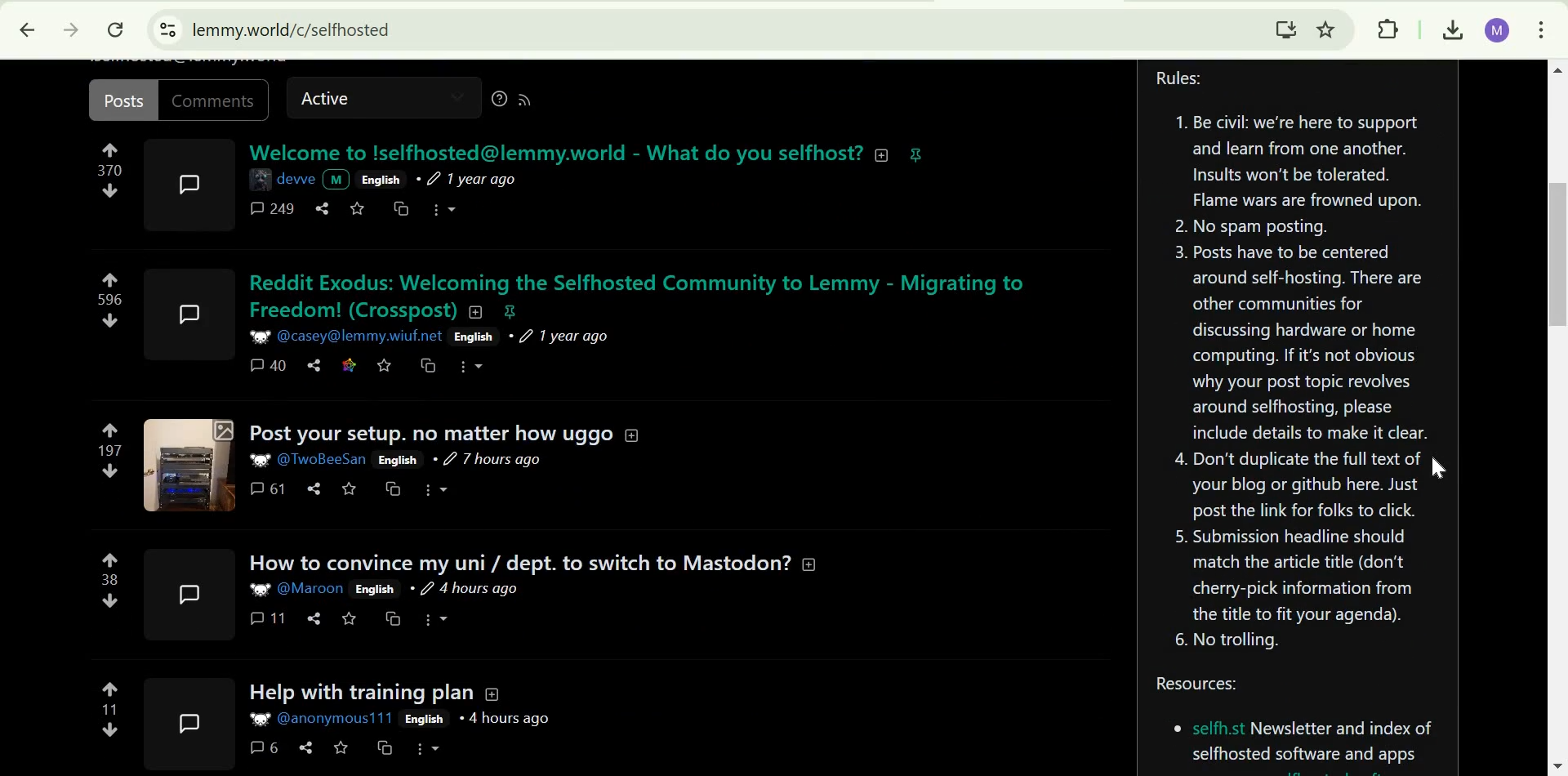 Image resolution: width=1568 pixels, height=776 pixels. What do you see at coordinates (886, 155) in the screenshot?
I see `collapse` at bounding box center [886, 155].